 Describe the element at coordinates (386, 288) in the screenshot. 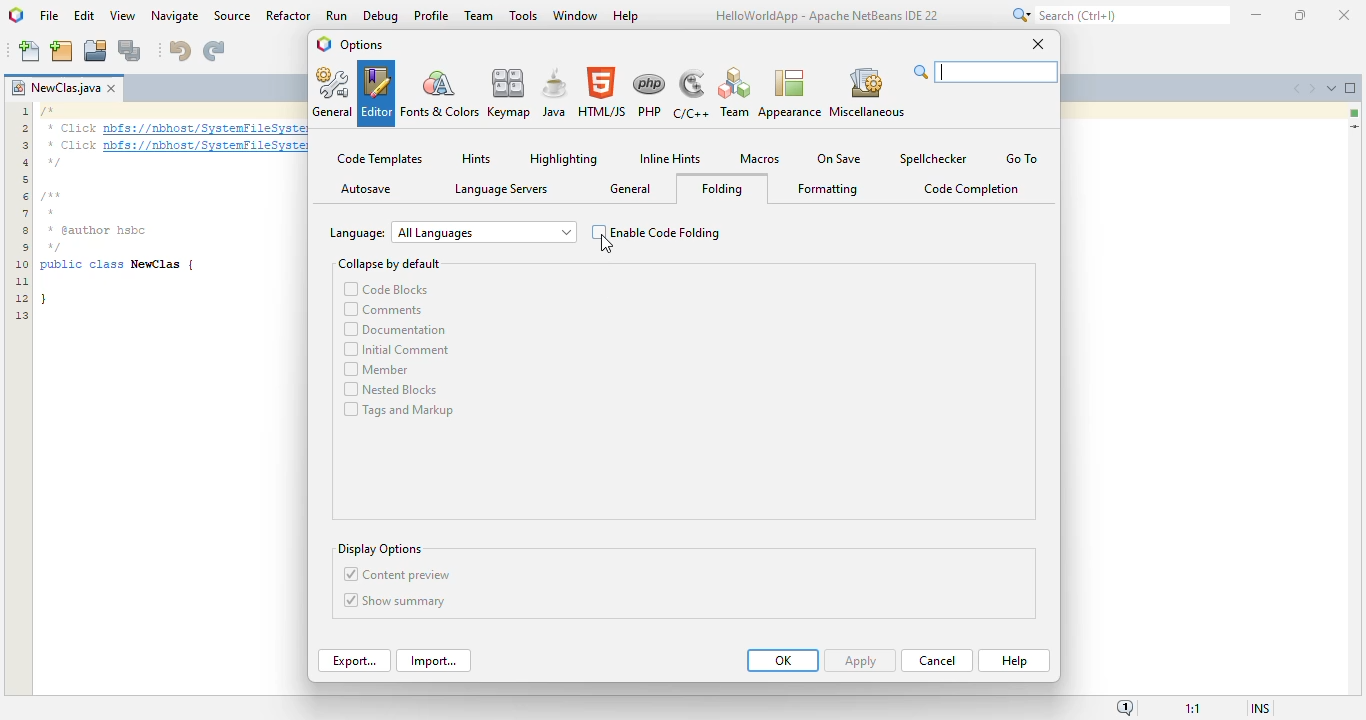

I see `code blocks` at that location.